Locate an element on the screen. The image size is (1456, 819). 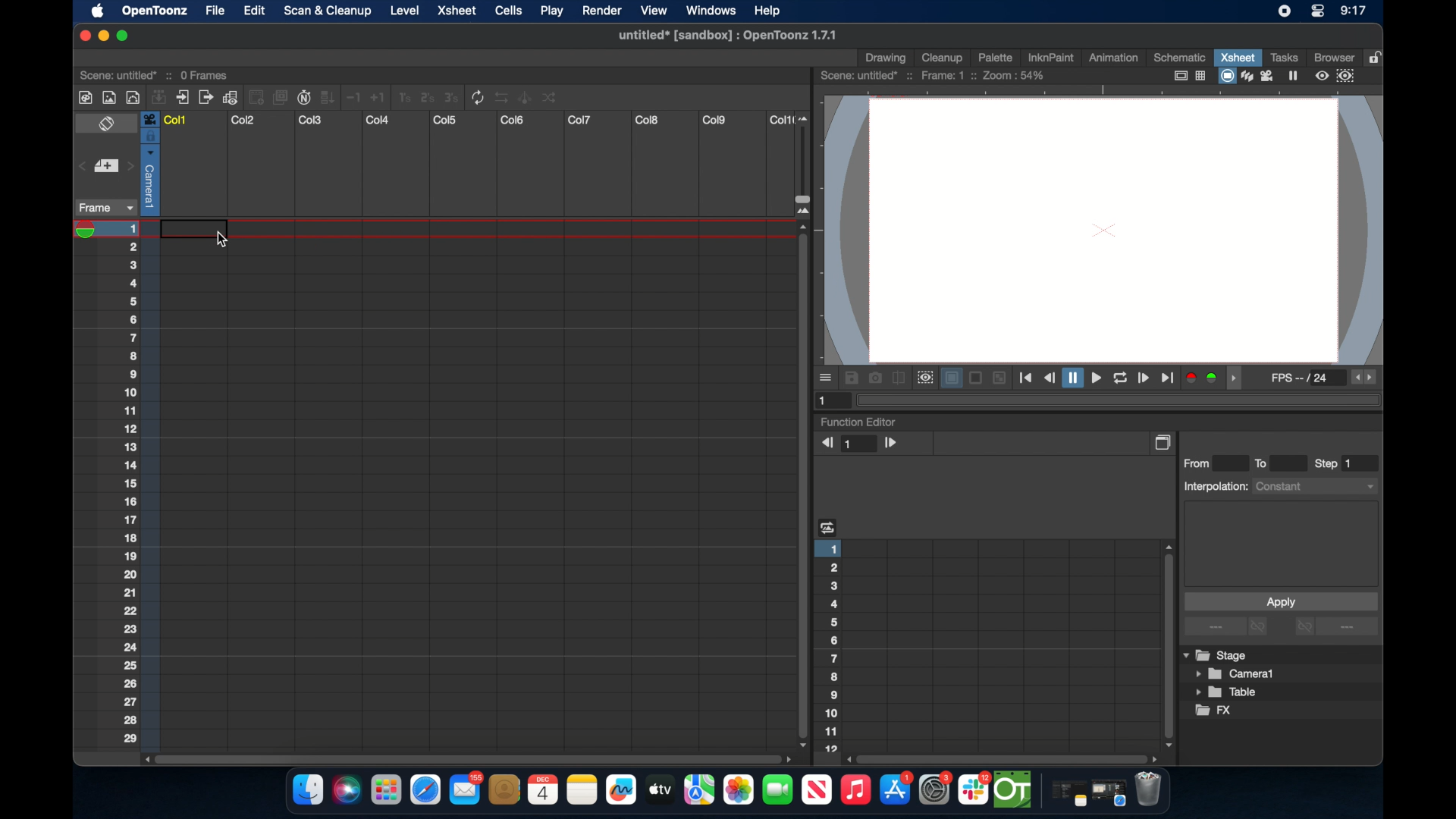
more options is located at coordinates (1336, 628).